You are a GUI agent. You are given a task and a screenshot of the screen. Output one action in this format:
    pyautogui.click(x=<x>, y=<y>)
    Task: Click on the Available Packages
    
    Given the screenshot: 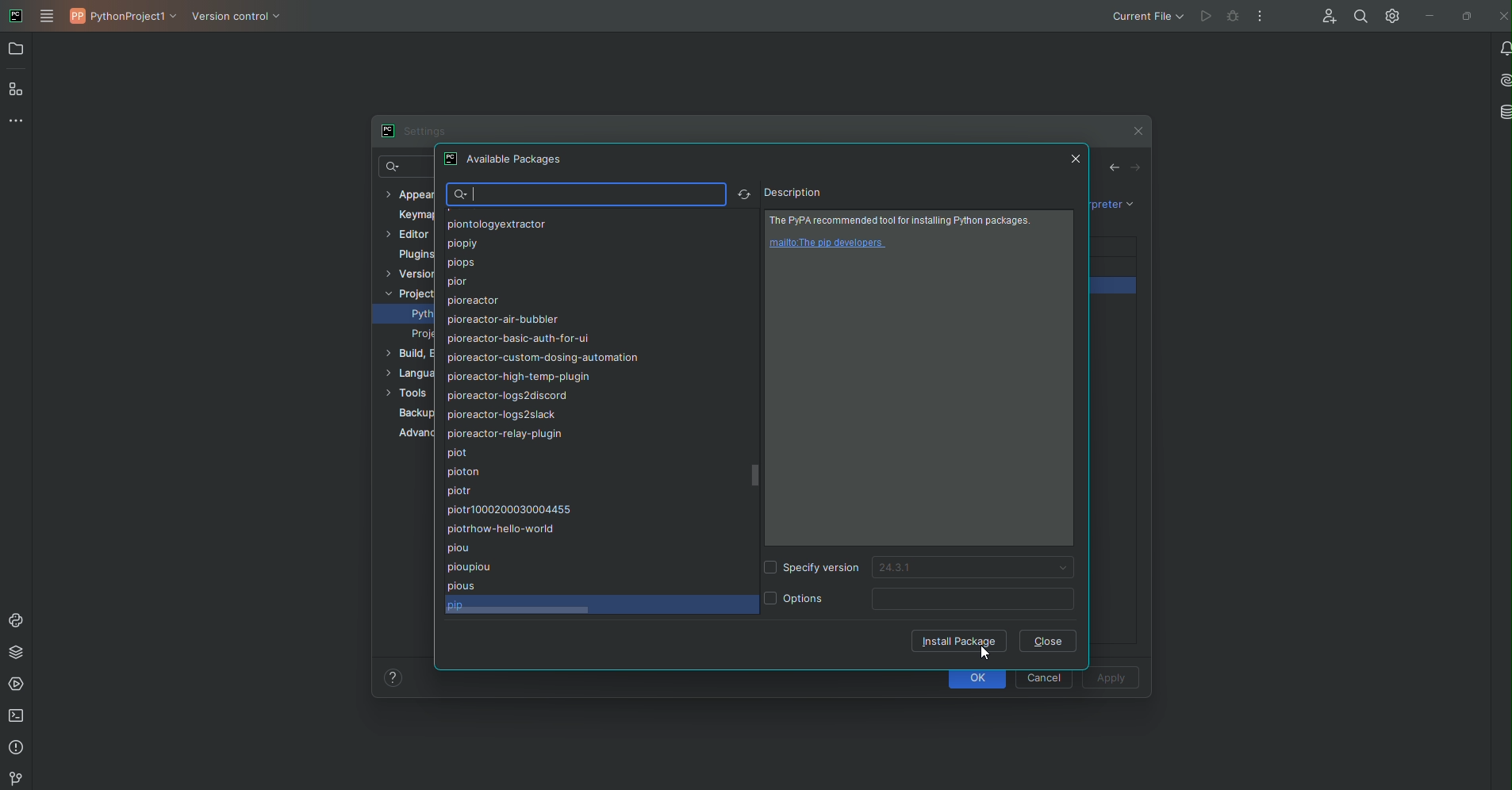 What is the action you would take?
    pyautogui.click(x=506, y=160)
    